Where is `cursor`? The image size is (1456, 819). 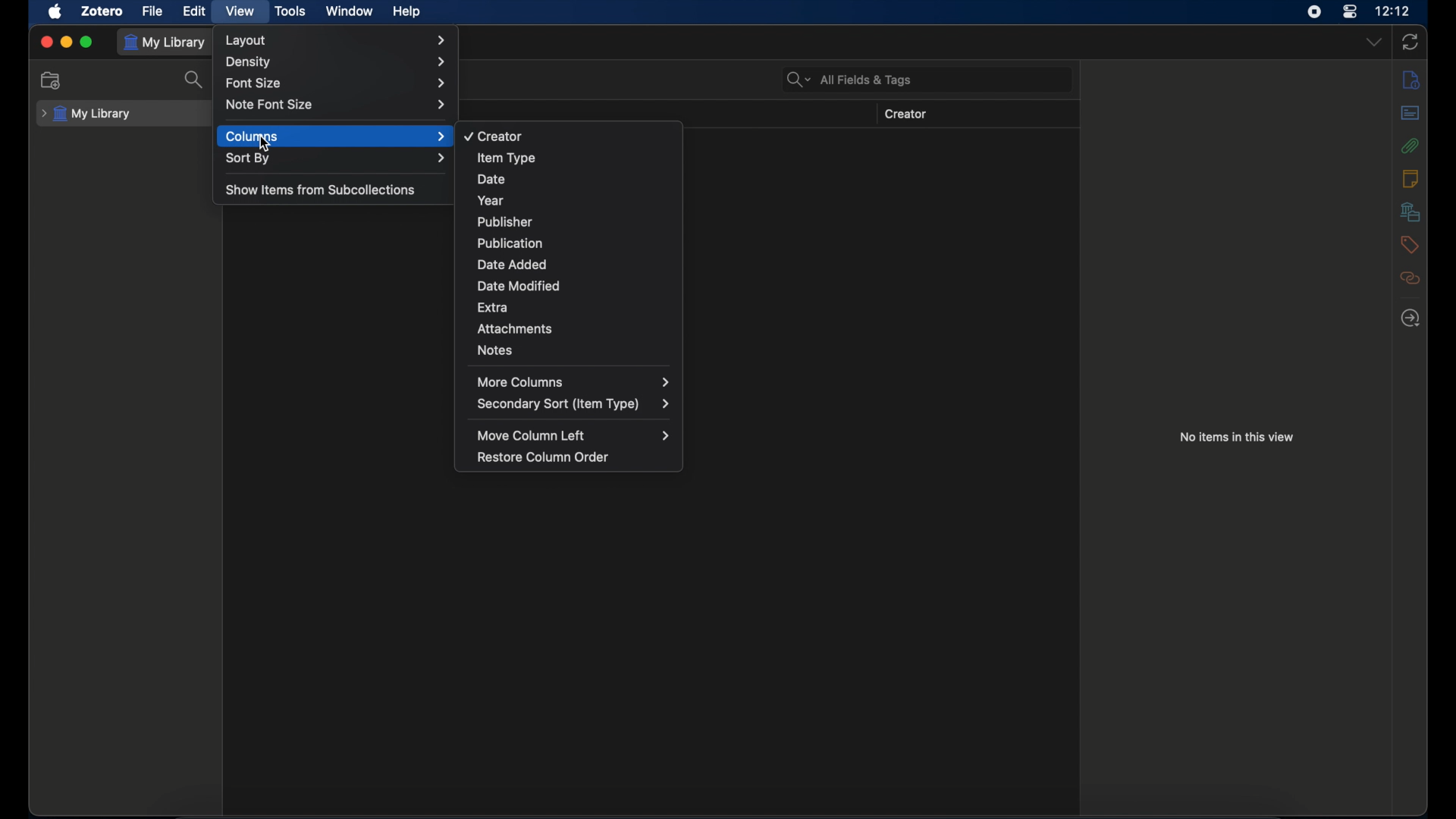
cursor is located at coordinates (263, 143).